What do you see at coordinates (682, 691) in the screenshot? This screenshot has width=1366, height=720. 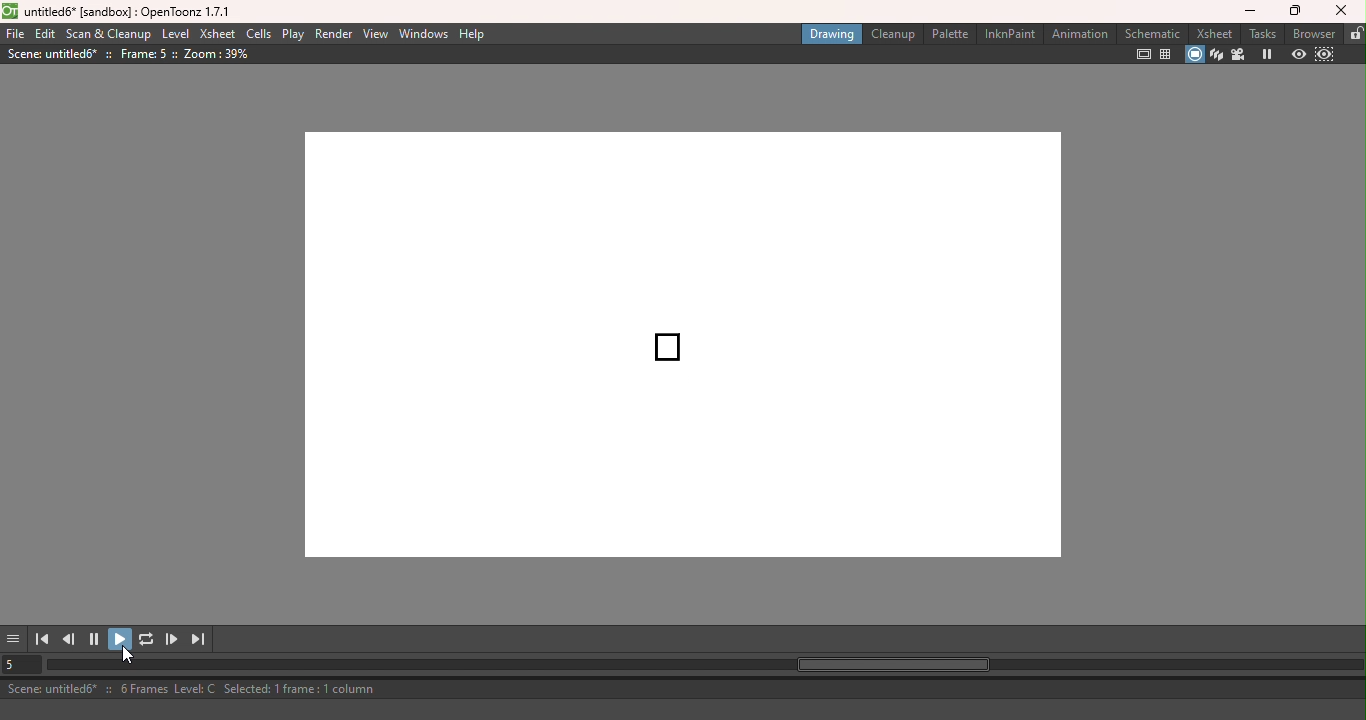 I see `Status bar` at bounding box center [682, 691].